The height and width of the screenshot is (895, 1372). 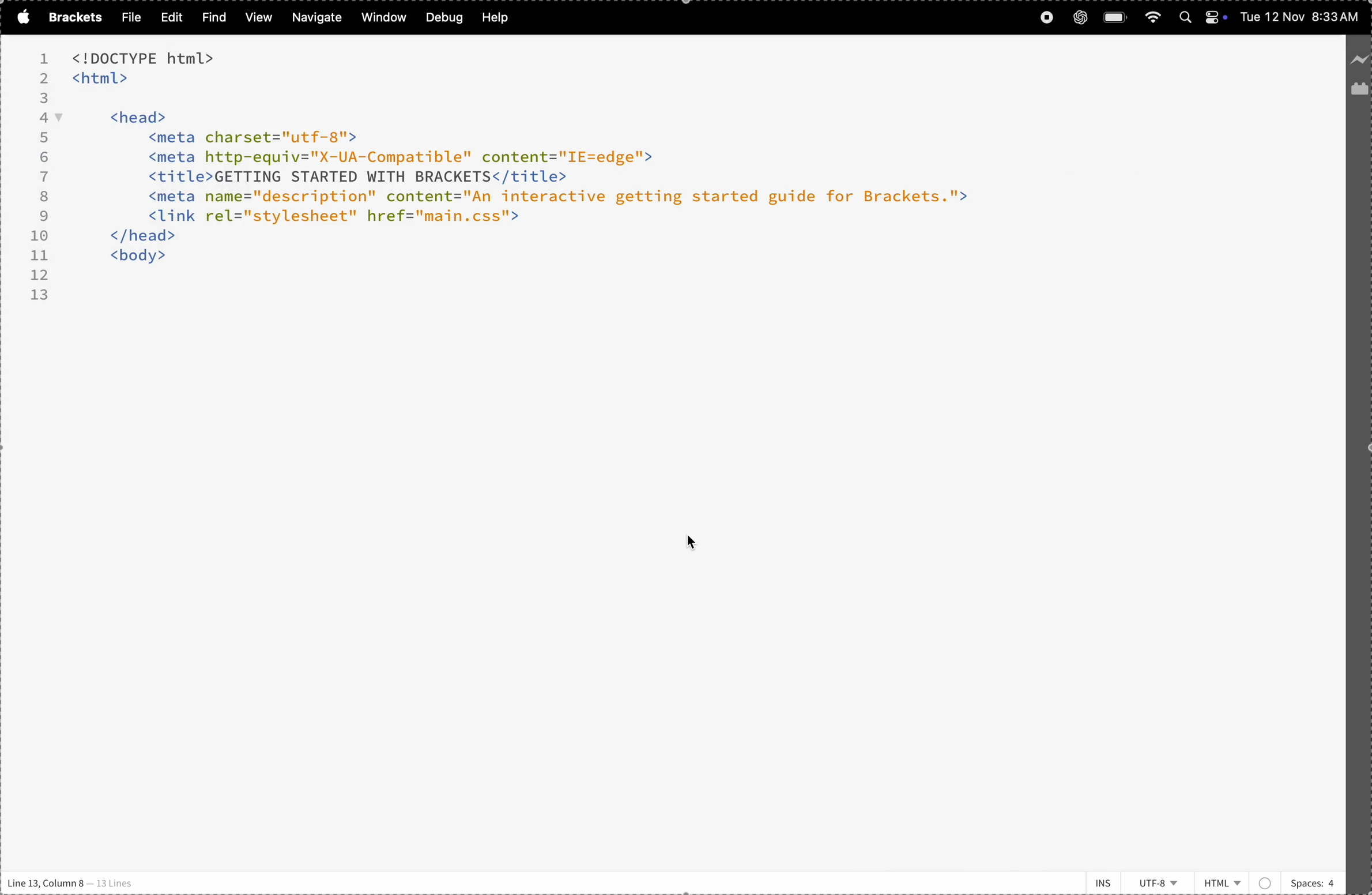 I want to click on Search icon, so click(x=1187, y=18).